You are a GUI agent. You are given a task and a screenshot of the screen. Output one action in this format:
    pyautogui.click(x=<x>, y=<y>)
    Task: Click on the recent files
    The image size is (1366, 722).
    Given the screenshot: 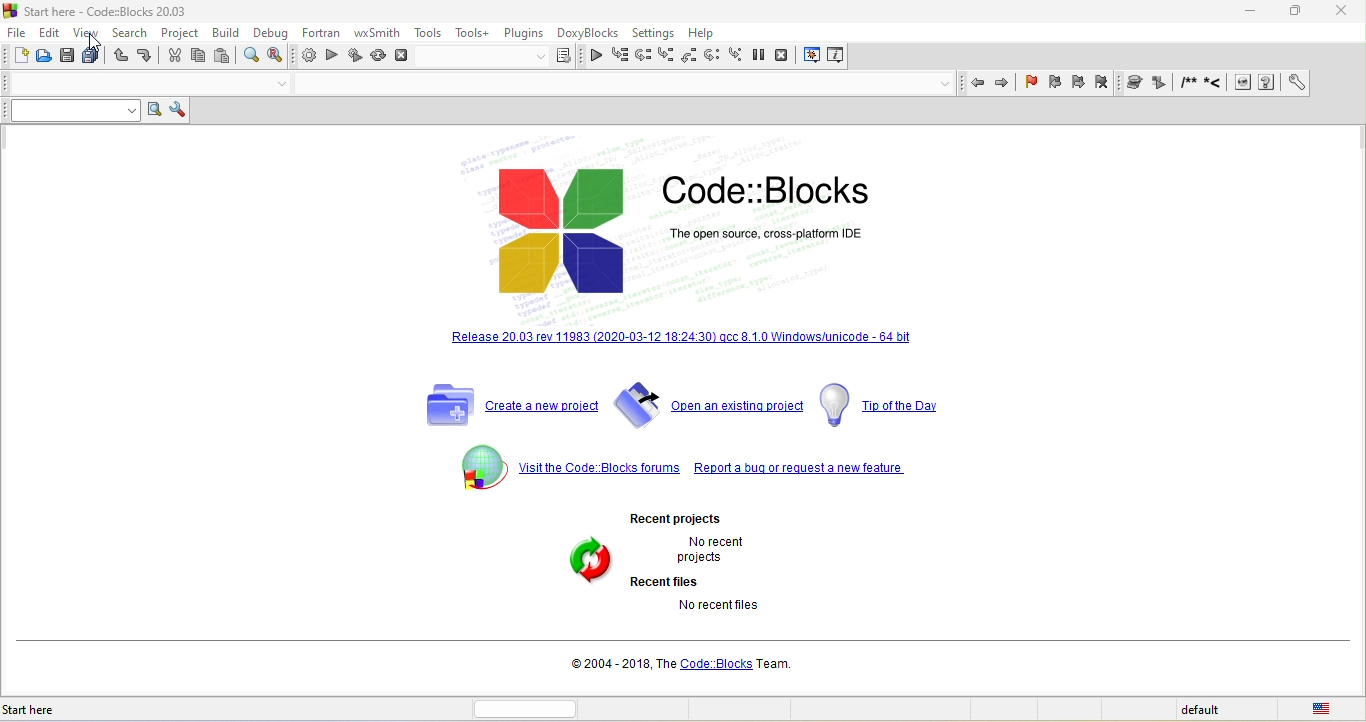 What is the action you would take?
    pyautogui.click(x=669, y=583)
    